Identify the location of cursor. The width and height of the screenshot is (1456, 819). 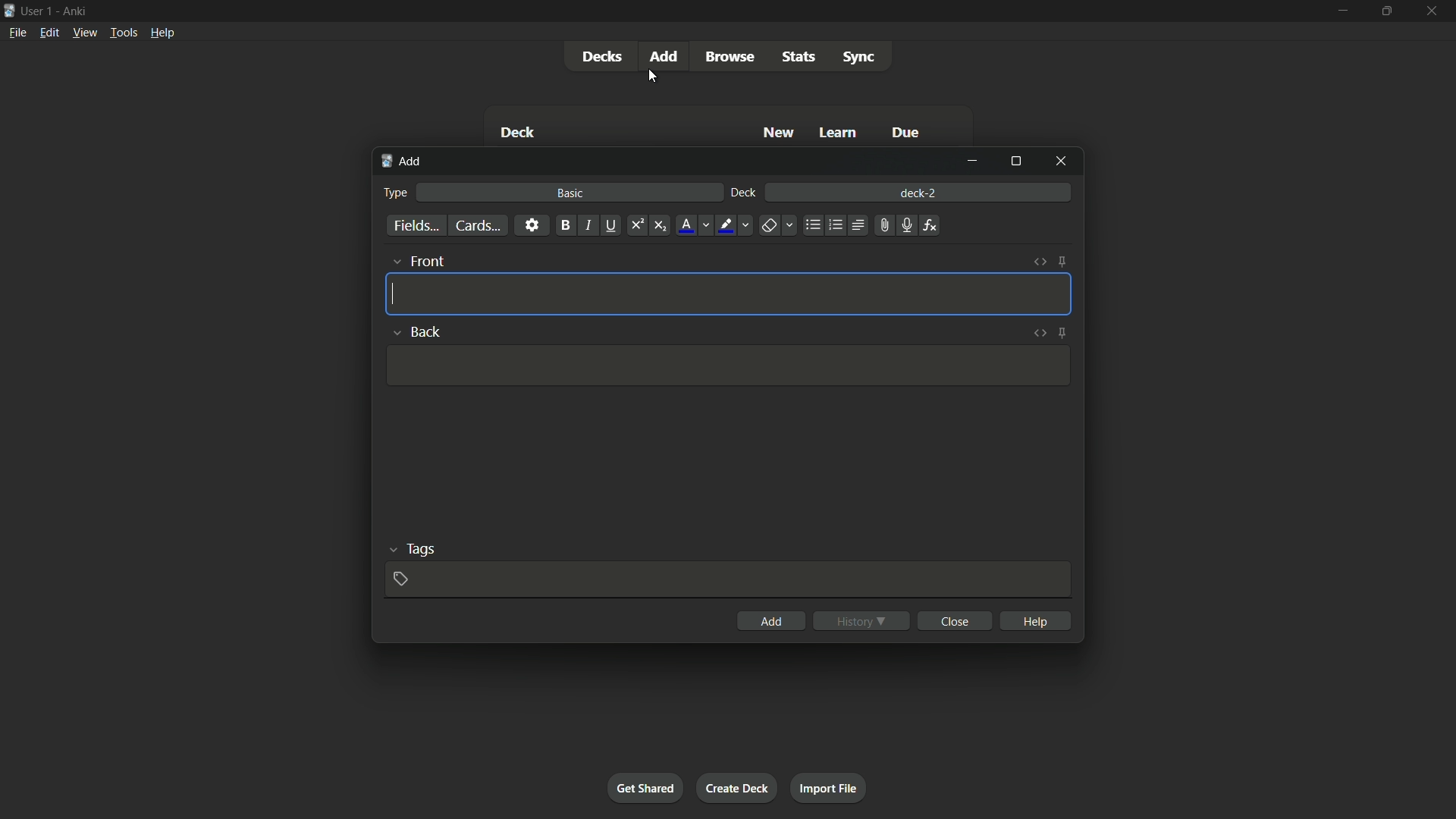
(394, 293).